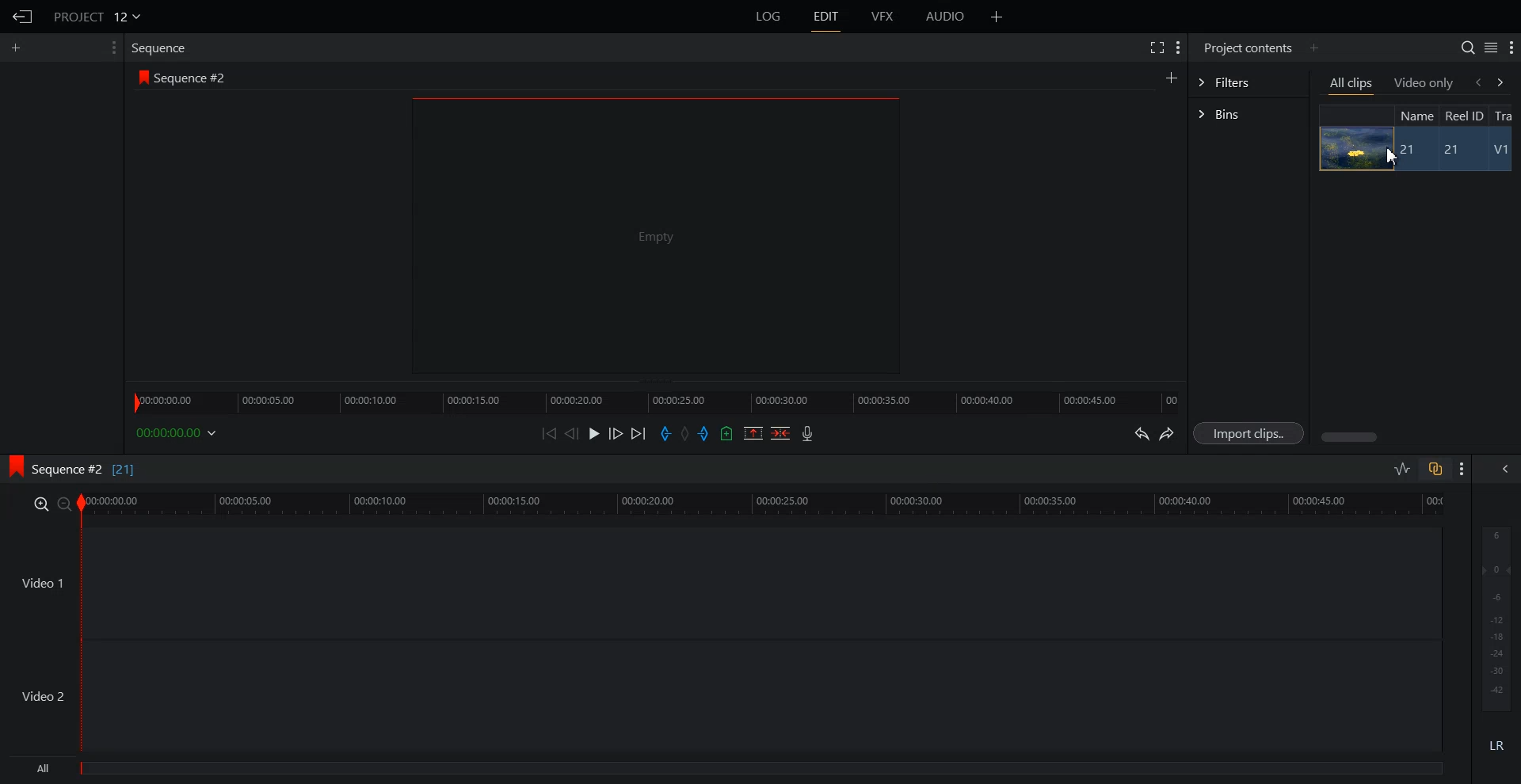 The height and width of the screenshot is (784, 1521). What do you see at coordinates (20, 48) in the screenshot?
I see `Add panel` at bounding box center [20, 48].